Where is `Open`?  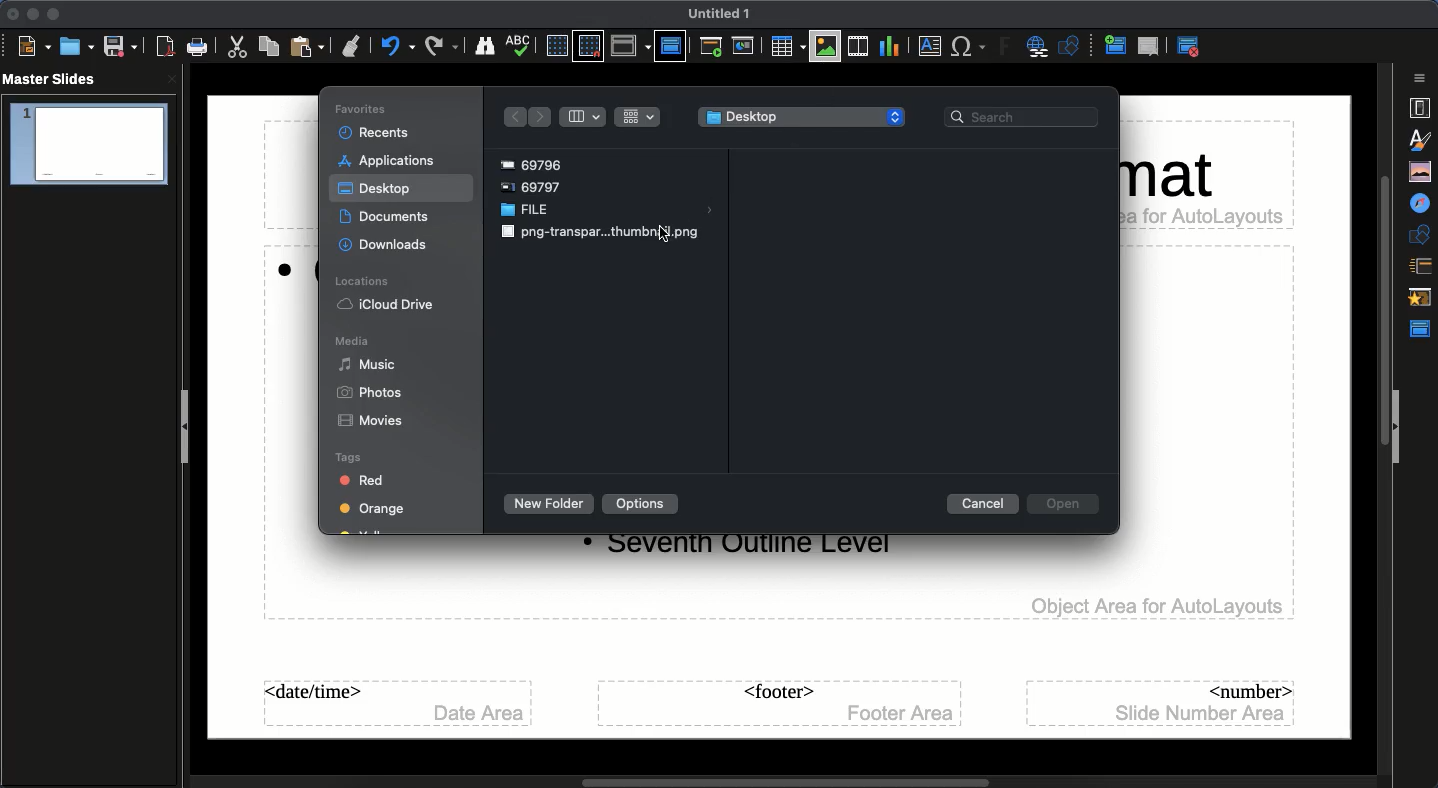
Open is located at coordinates (75, 46).